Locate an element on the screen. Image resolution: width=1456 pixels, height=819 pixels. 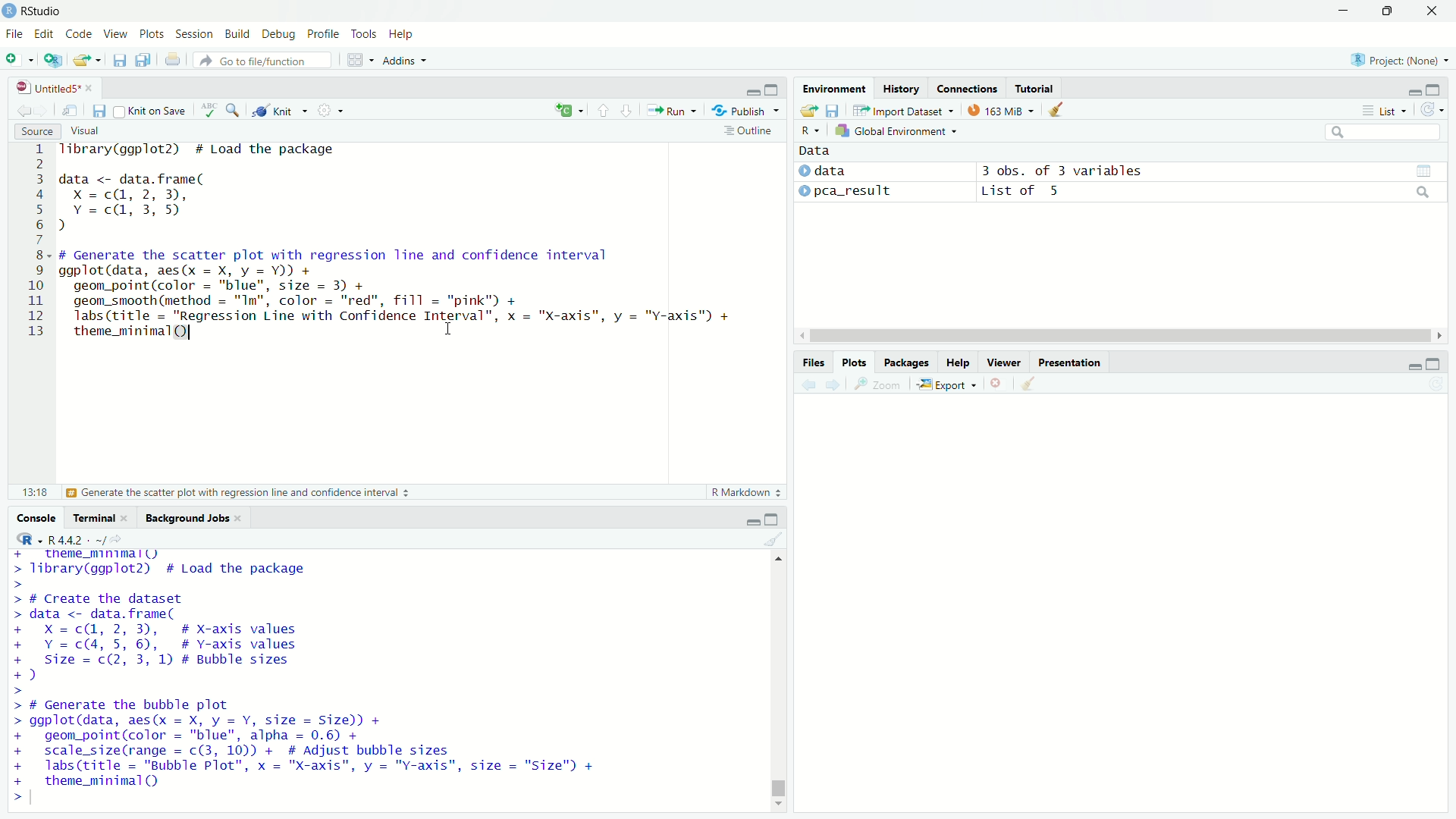
Zoom is located at coordinates (880, 384).